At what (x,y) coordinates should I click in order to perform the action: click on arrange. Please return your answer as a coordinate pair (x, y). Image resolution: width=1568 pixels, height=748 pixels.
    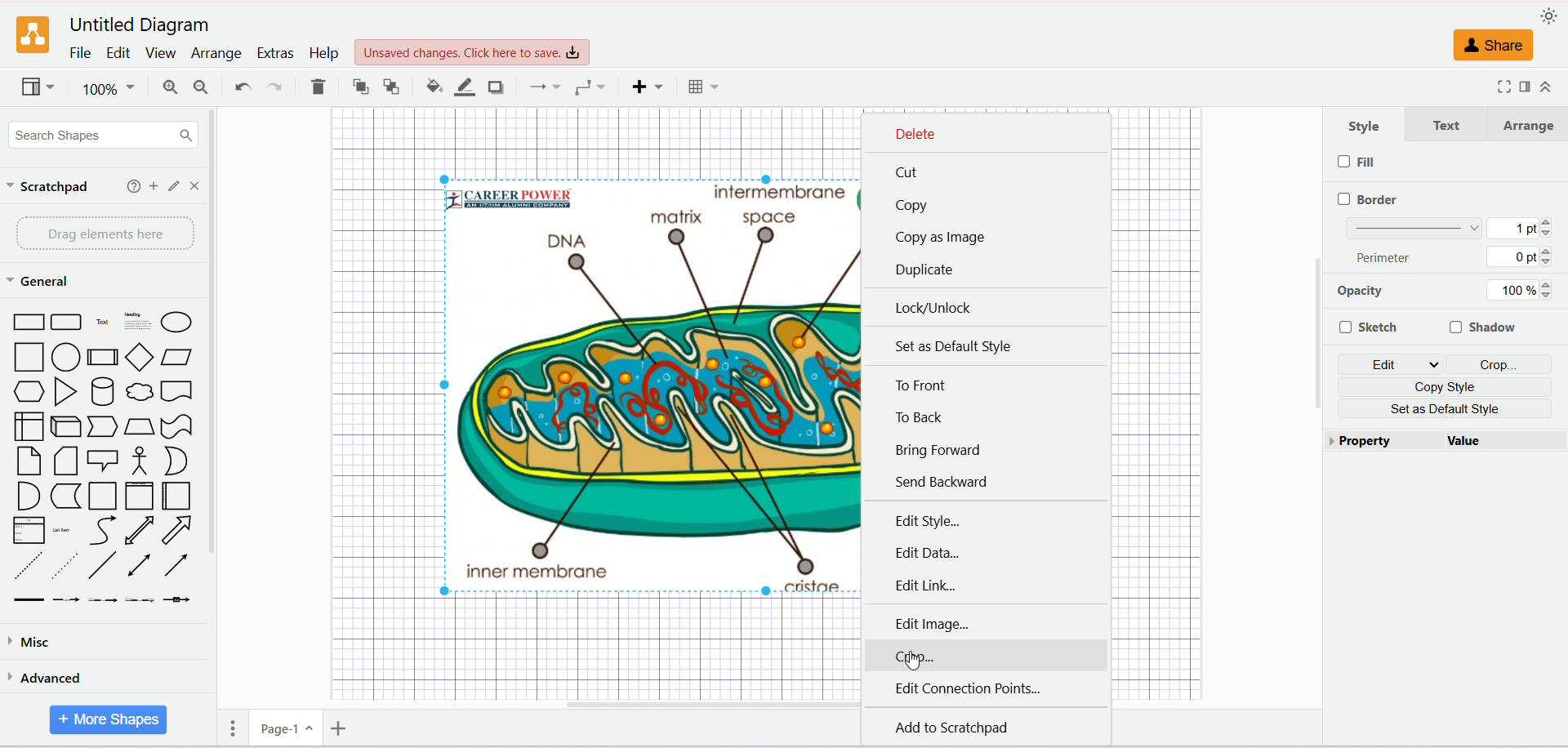
    Looking at the image, I should click on (216, 55).